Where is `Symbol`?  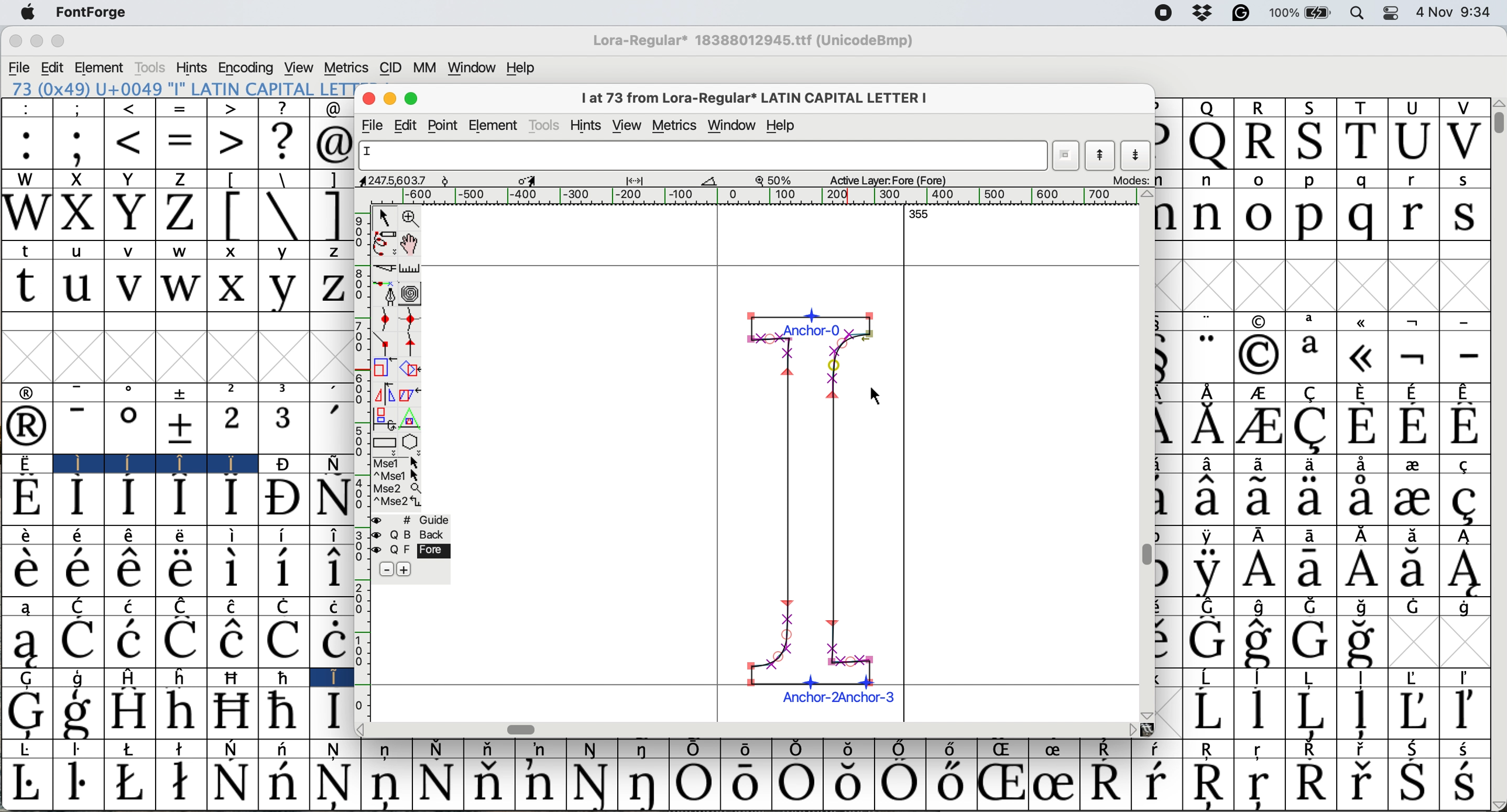 Symbol is located at coordinates (1264, 642).